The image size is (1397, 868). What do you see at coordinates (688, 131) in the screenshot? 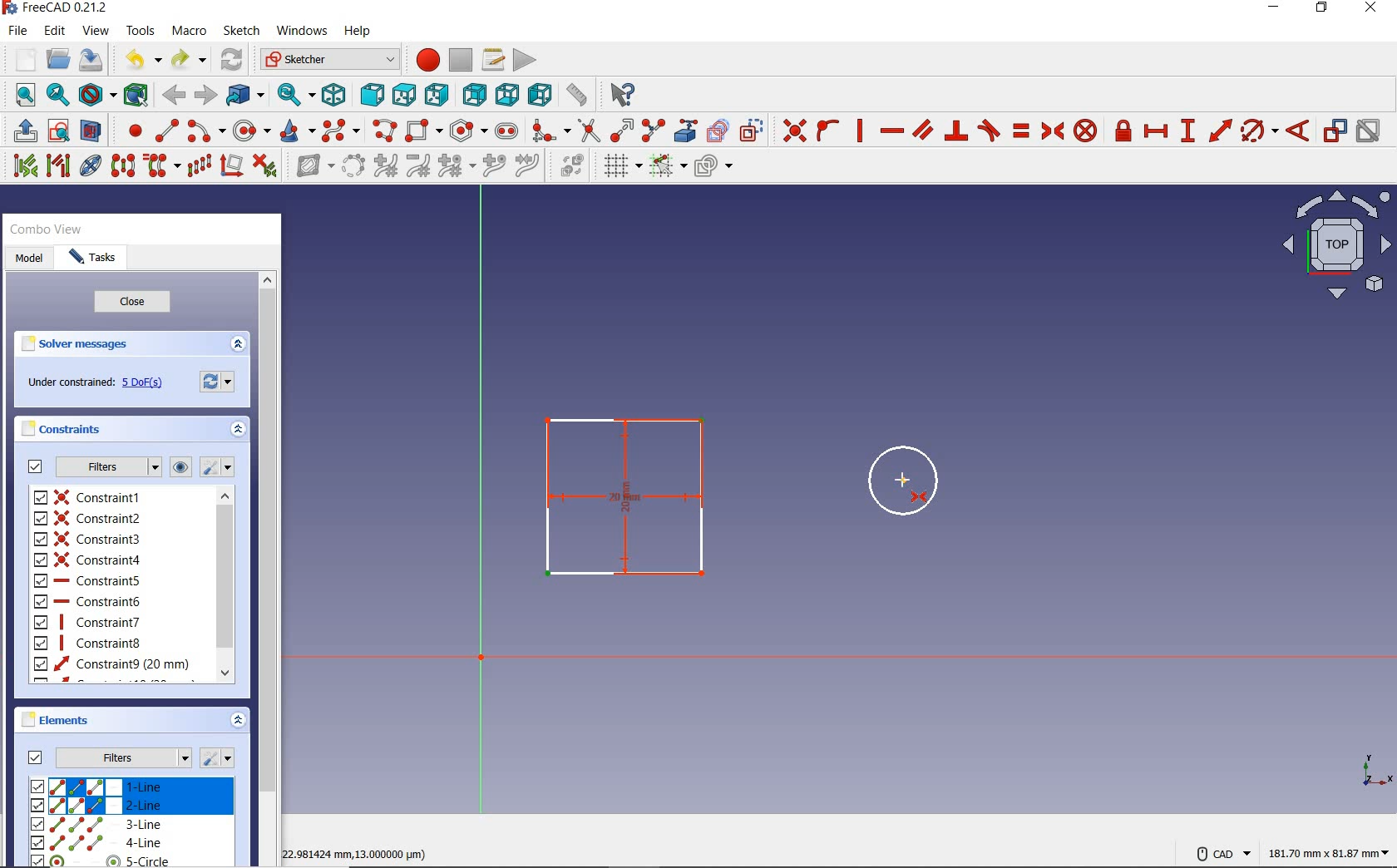
I see `create external geometry` at bounding box center [688, 131].